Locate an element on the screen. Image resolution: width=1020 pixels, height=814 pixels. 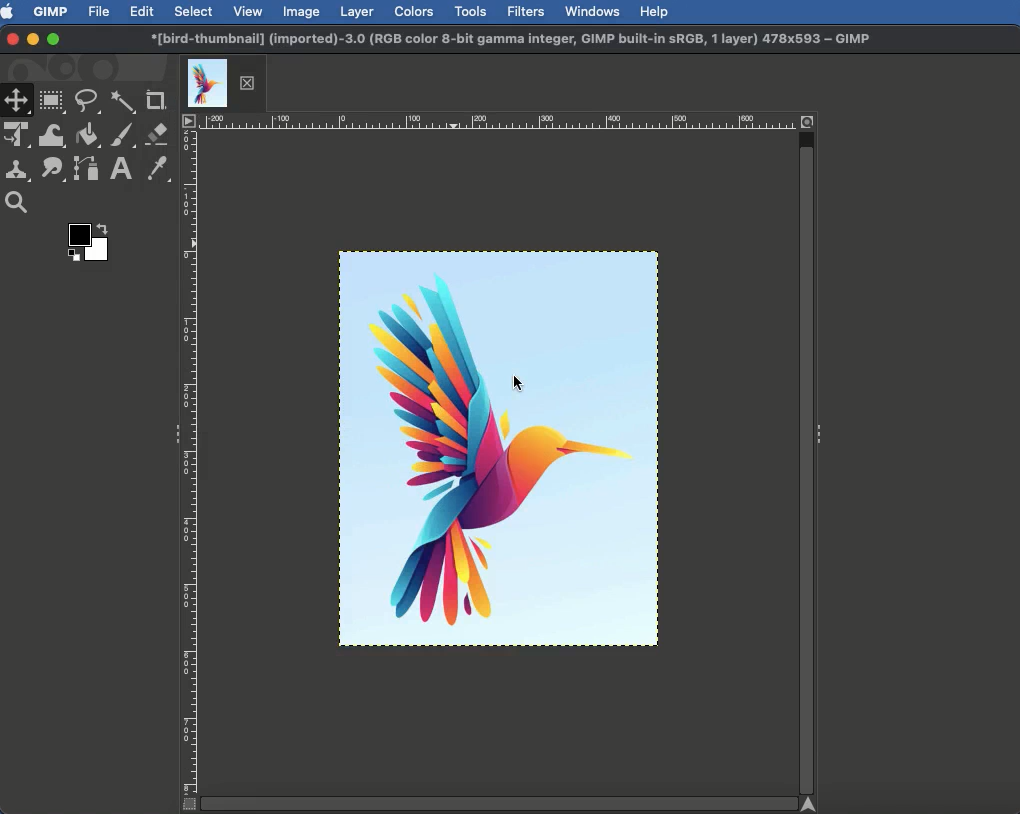
Maximize is located at coordinates (54, 40).